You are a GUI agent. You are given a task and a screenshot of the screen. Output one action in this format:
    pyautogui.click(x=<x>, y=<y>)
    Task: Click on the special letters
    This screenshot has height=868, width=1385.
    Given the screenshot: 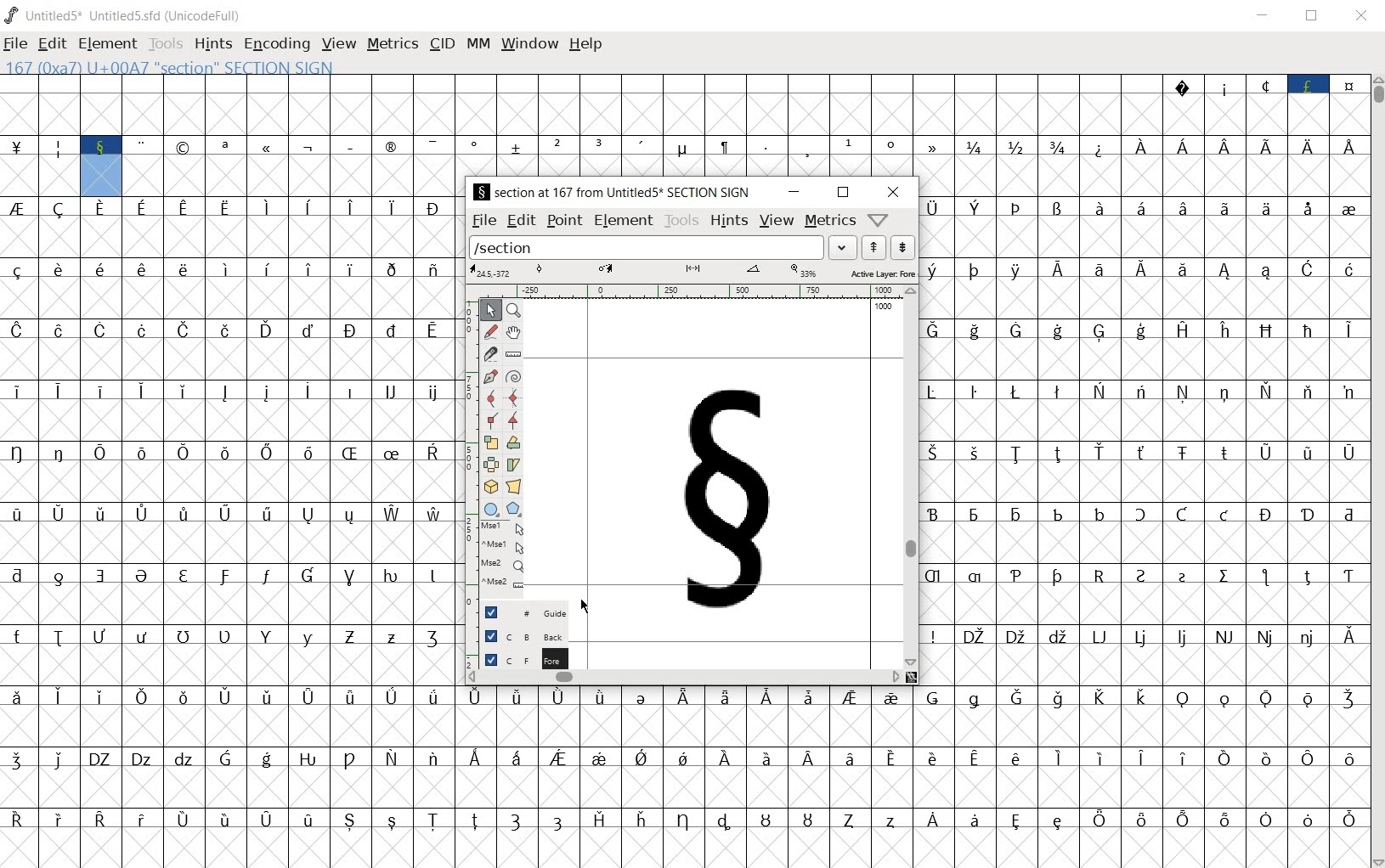 What is the action you would take?
    pyautogui.click(x=1143, y=574)
    